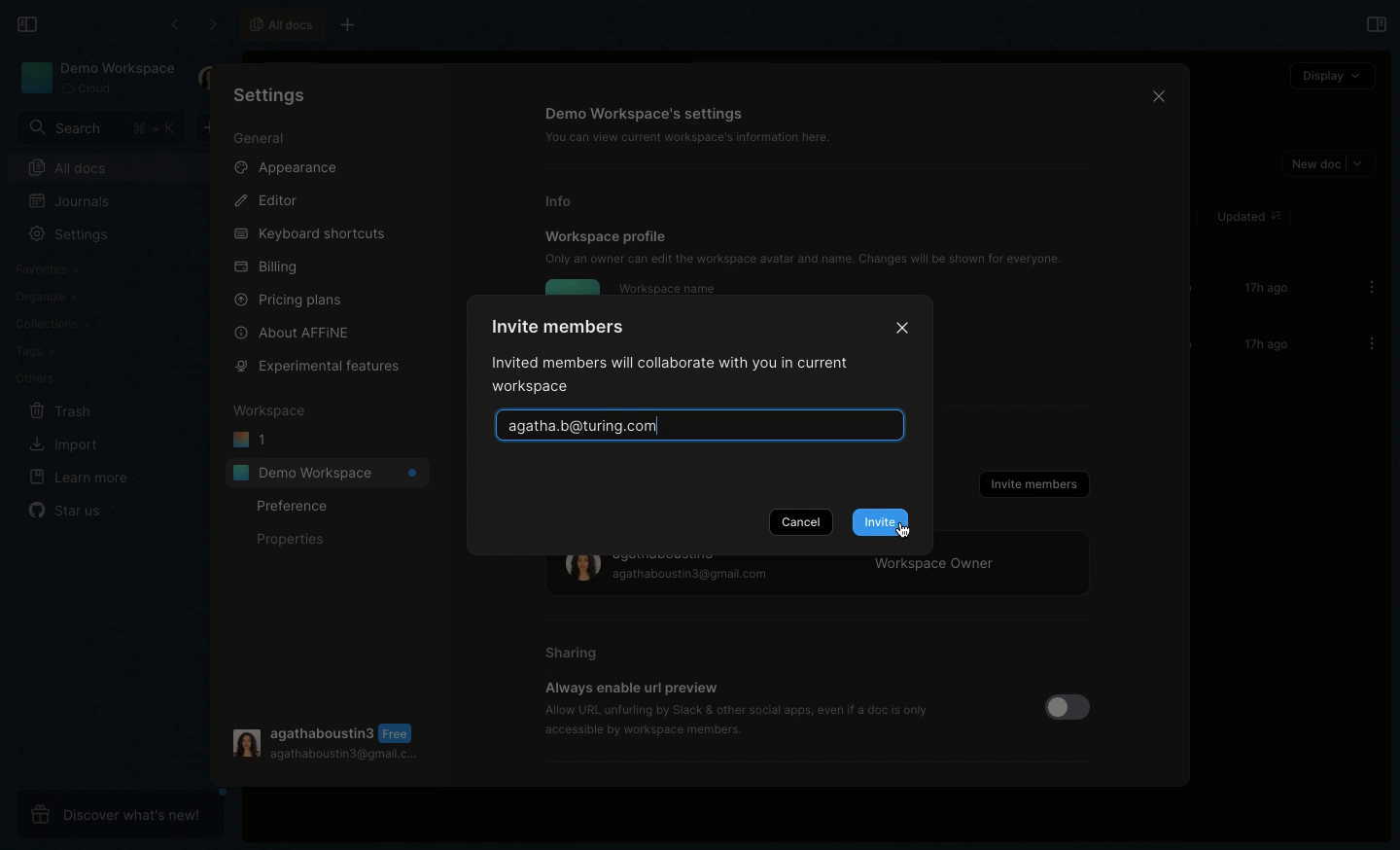 This screenshot has width=1400, height=850. What do you see at coordinates (800, 521) in the screenshot?
I see `Cancel` at bounding box center [800, 521].